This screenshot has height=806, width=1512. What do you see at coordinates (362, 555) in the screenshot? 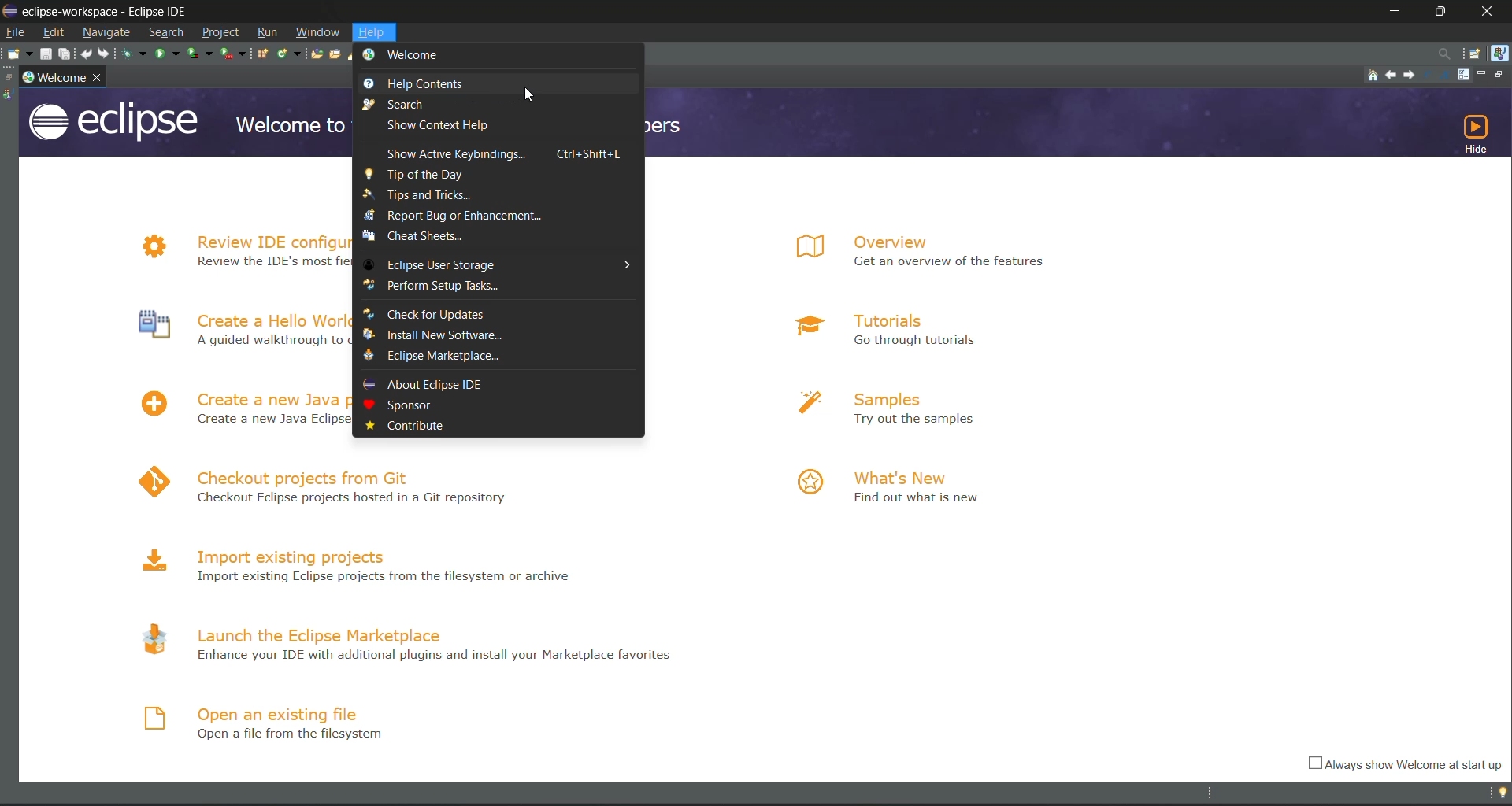
I see `import existing projects` at bounding box center [362, 555].